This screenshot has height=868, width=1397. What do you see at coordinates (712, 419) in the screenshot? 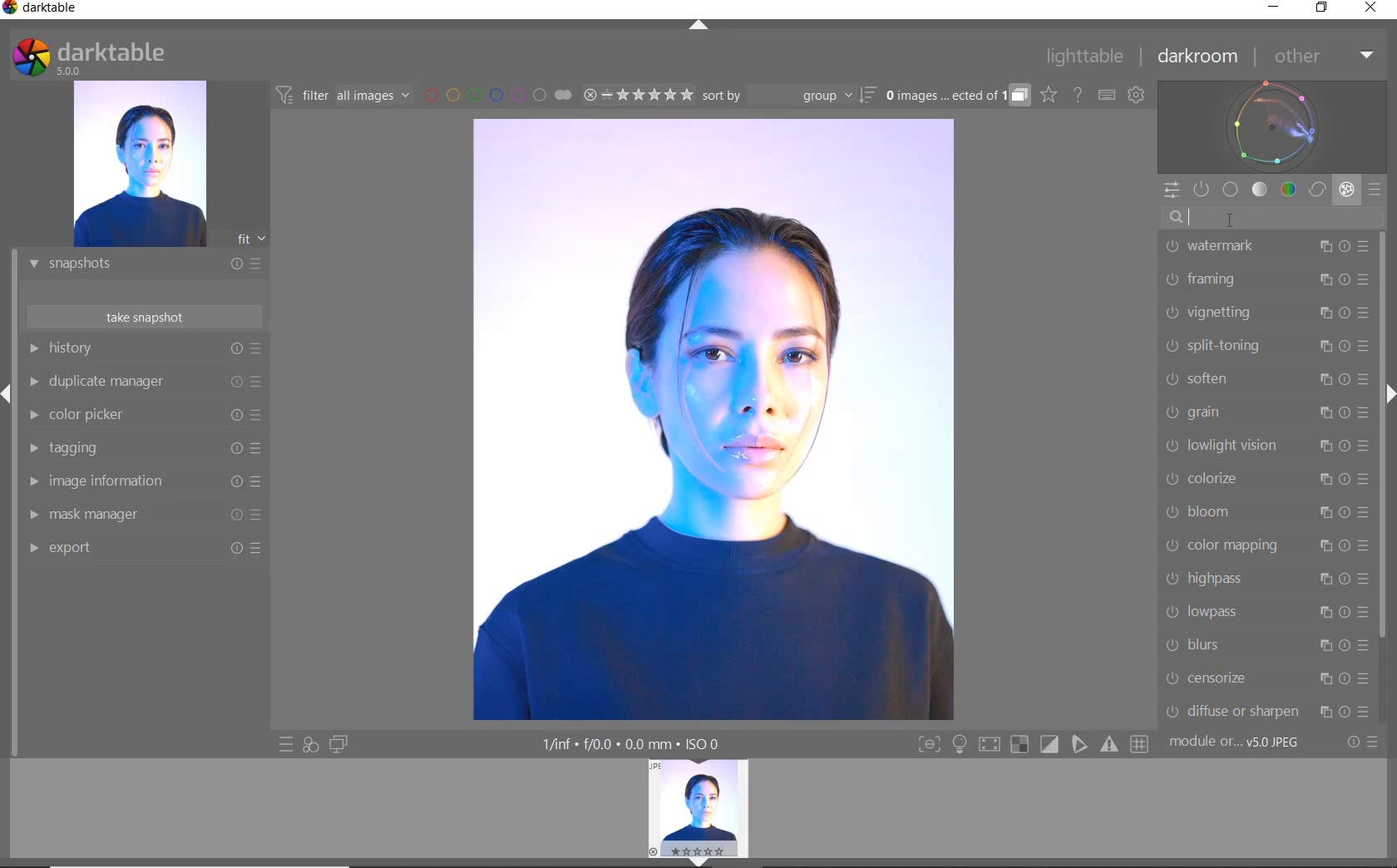
I see `SELECTED IMAGE` at bounding box center [712, 419].